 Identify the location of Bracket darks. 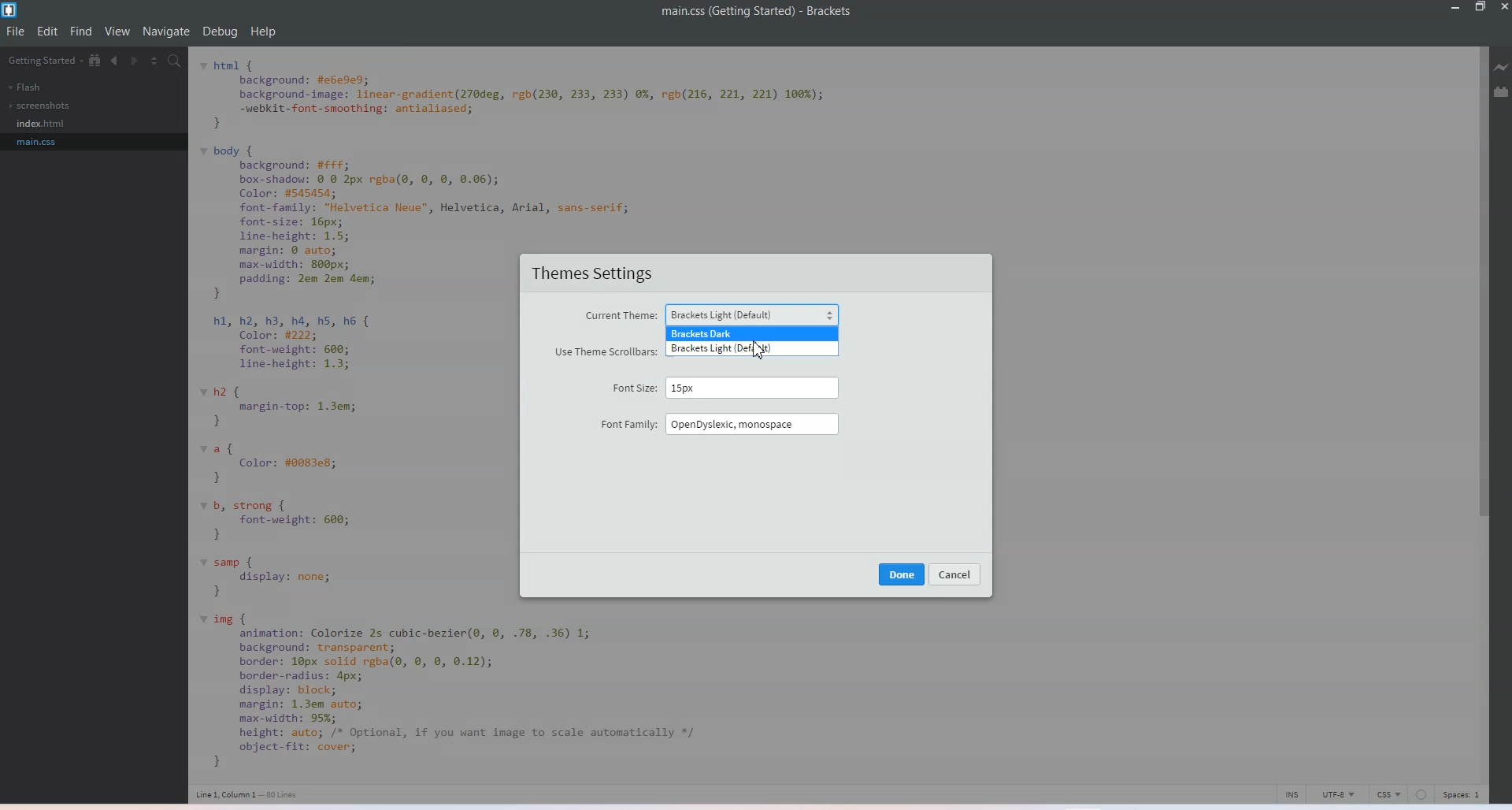
(752, 334).